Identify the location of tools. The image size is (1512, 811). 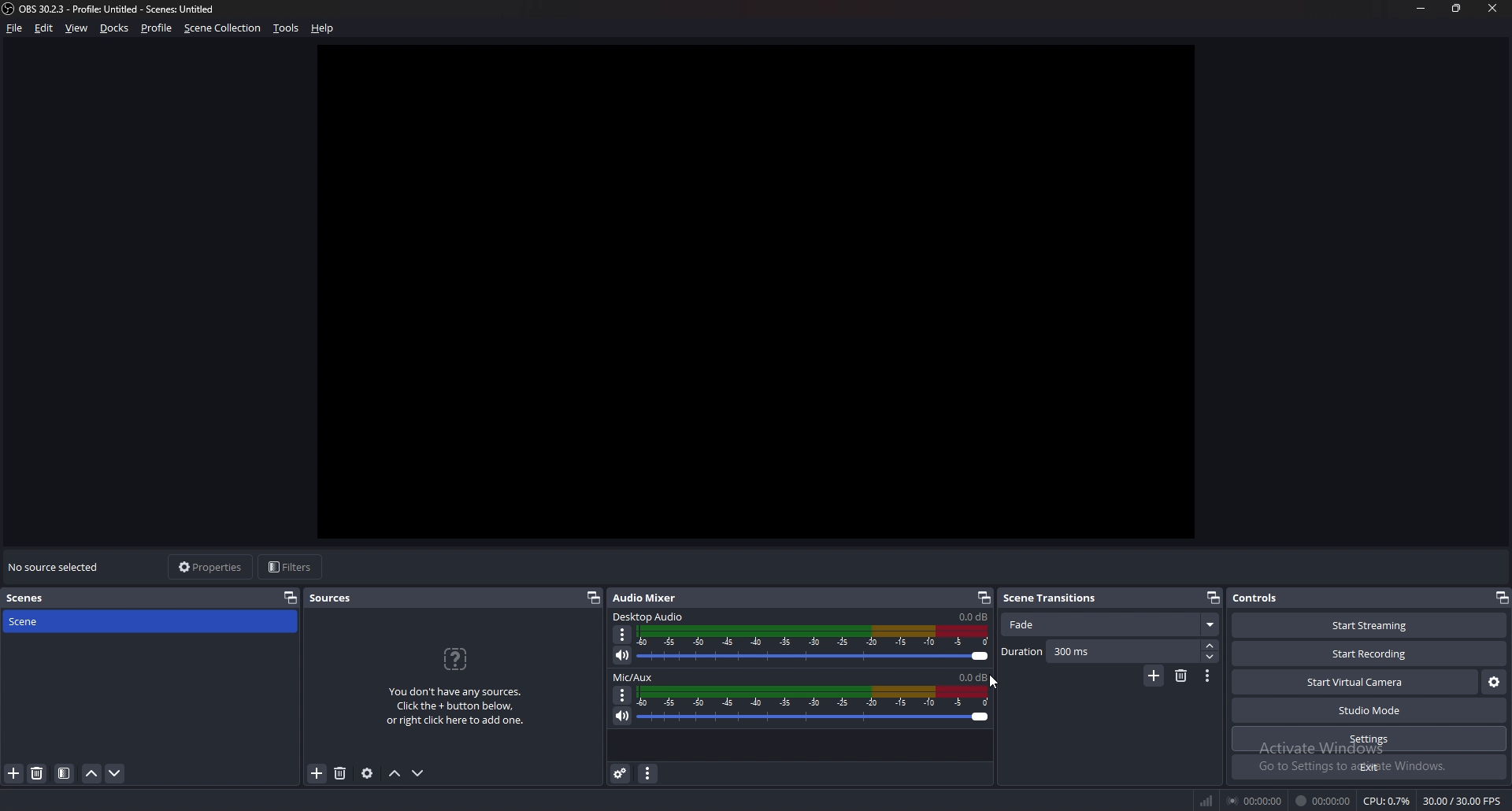
(285, 28).